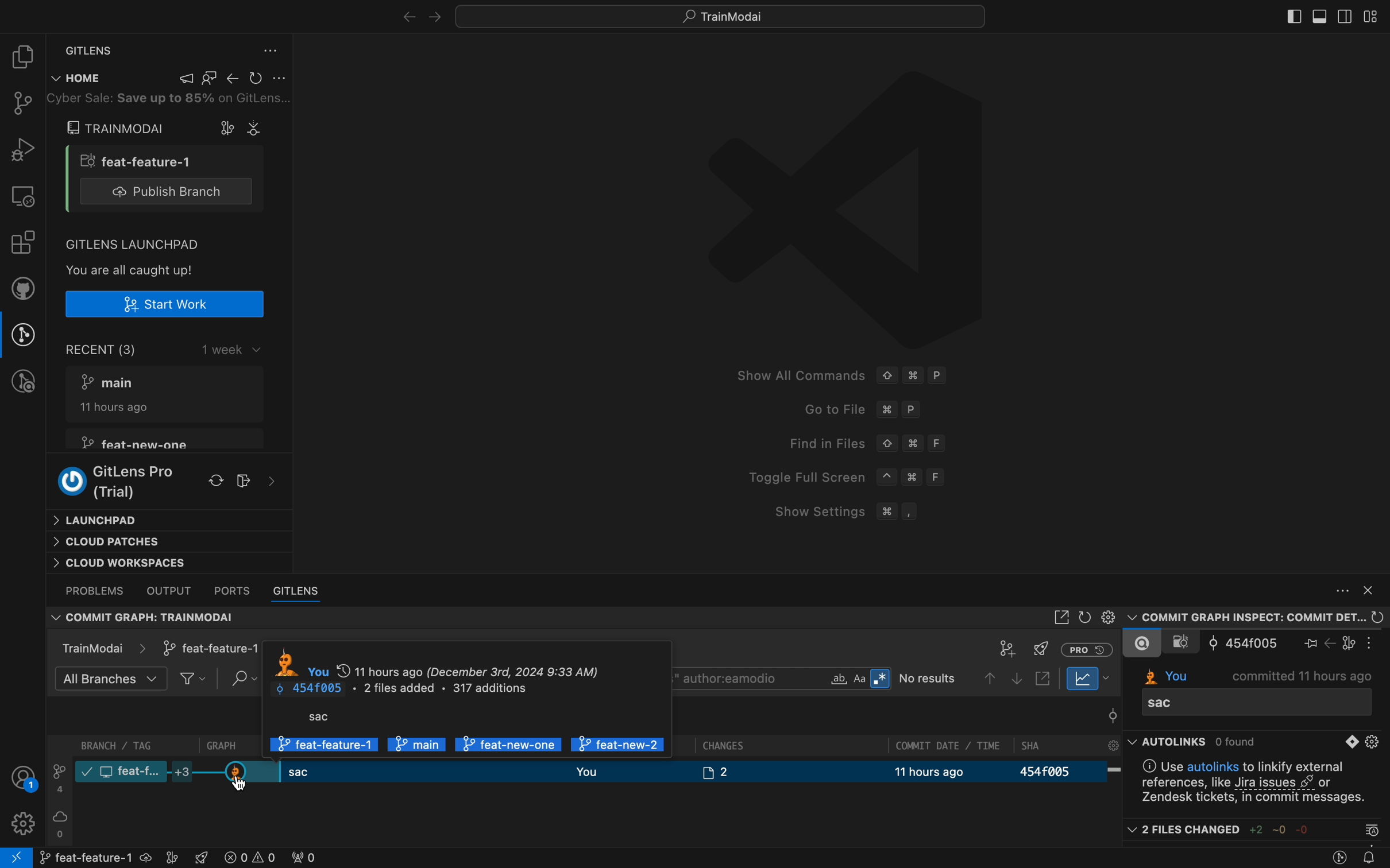 The width and height of the screenshot is (1390, 868). What do you see at coordinates (721, 14) in the screenshot?
I see `quick menus` at bounding box center [721, 14].